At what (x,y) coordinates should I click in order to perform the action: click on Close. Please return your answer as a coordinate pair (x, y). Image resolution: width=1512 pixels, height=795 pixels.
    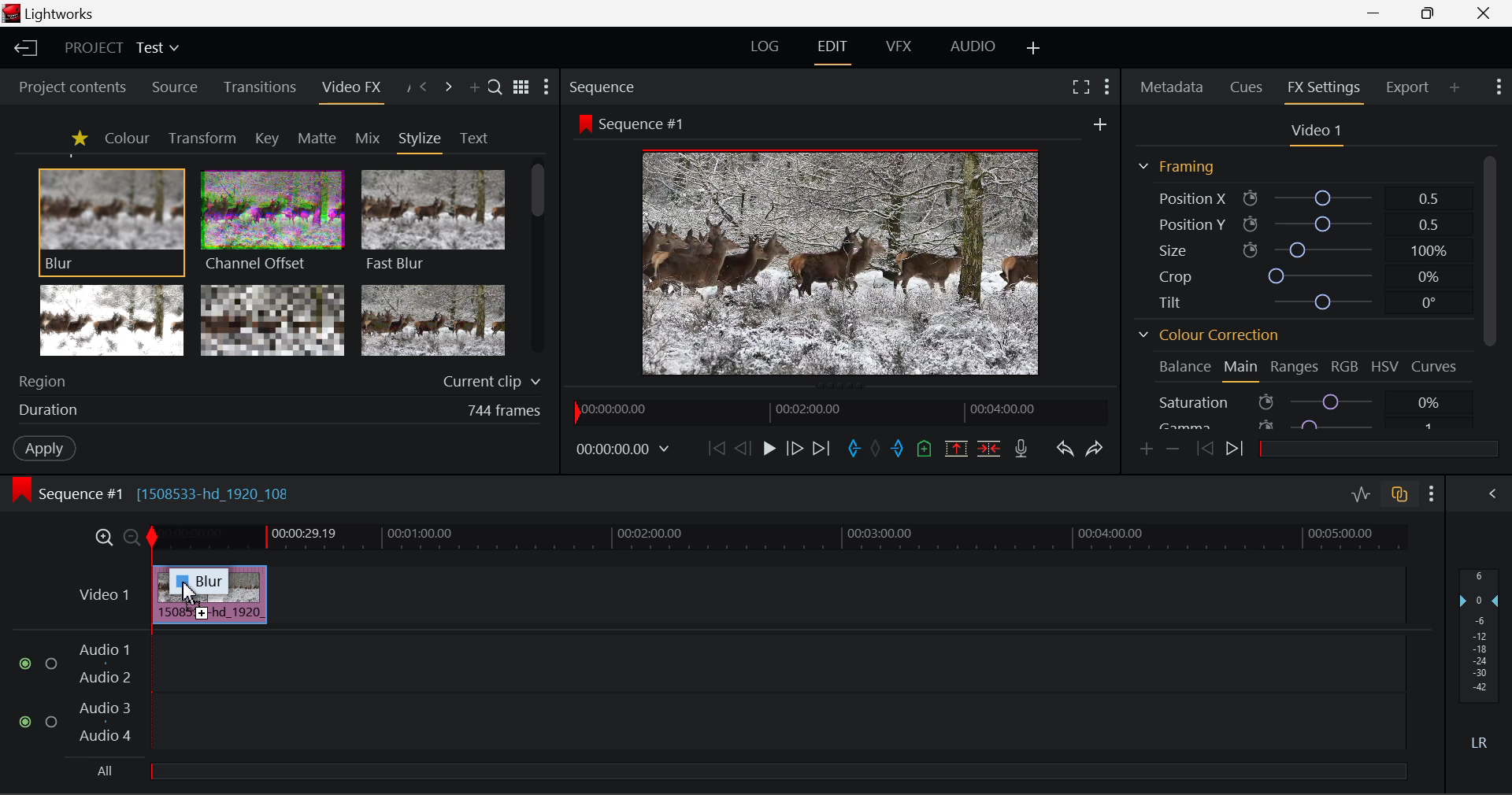
    Looking at the image, I should click on (1482, 13).